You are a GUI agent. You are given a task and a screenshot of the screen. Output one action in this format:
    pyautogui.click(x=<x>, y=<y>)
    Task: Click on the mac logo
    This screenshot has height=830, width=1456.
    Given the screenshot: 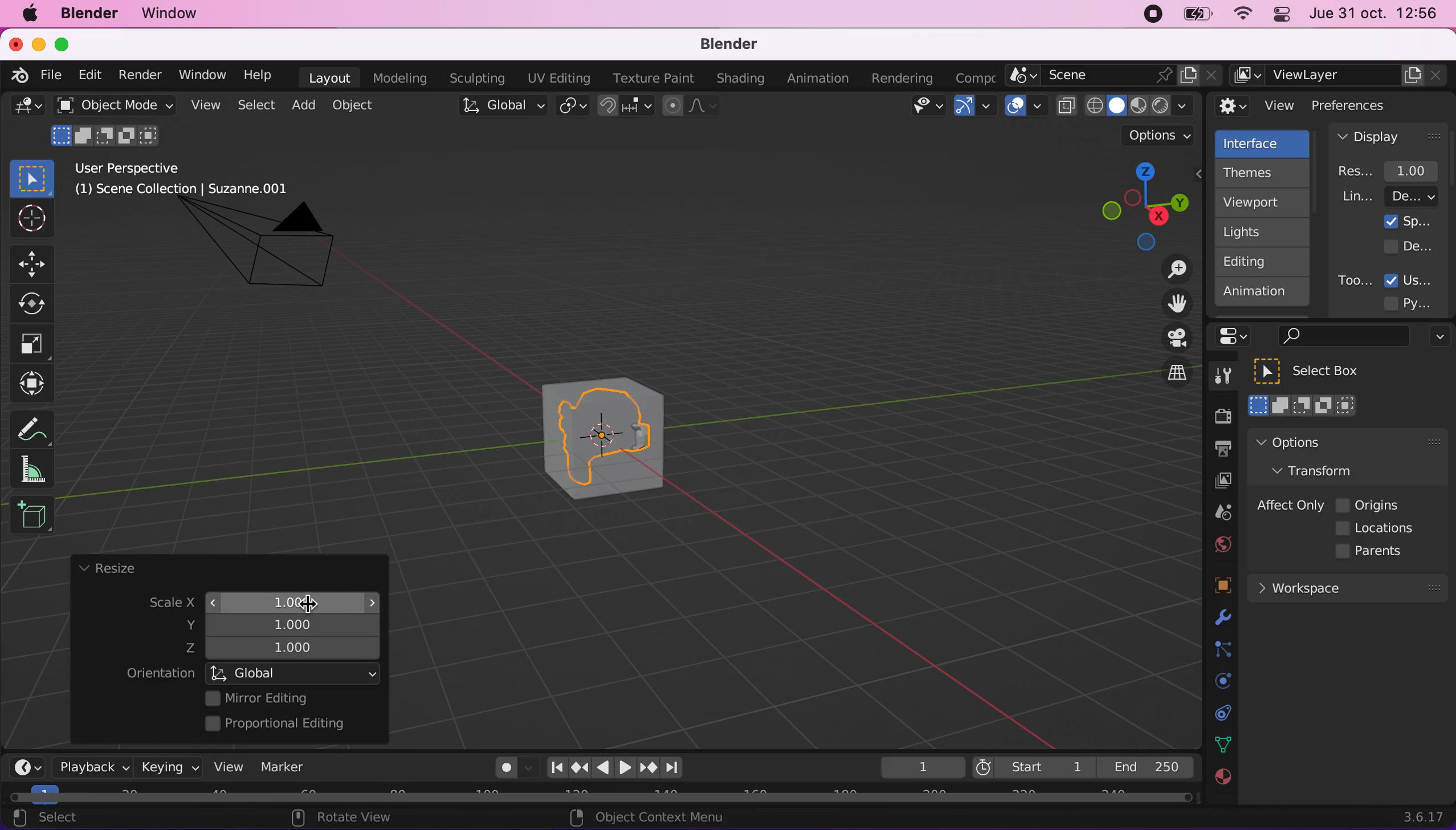 What is the action you would take?
    pyautogui.click(x=29, y=15)
    